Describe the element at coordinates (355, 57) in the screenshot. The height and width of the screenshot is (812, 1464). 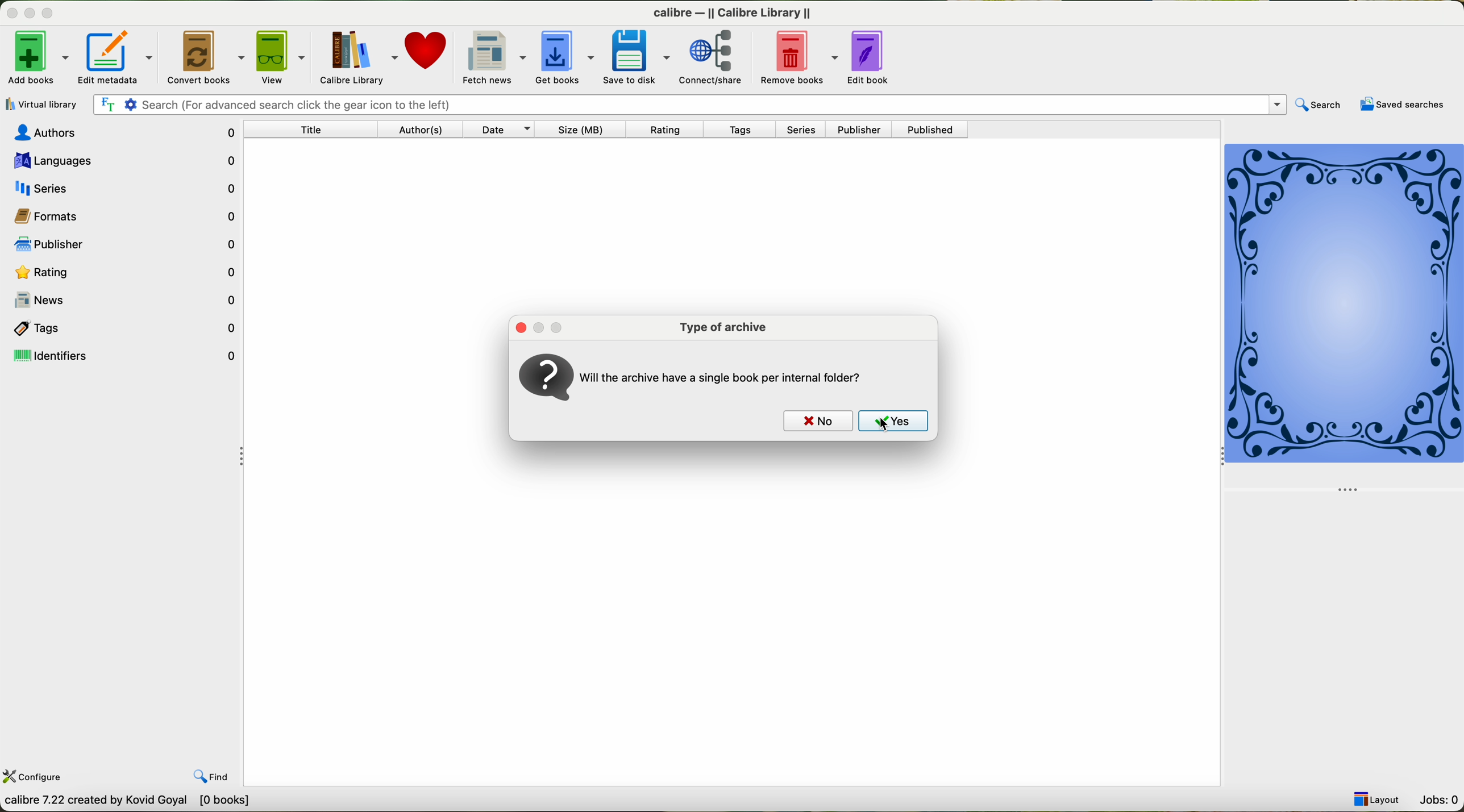
I see `calibre library` at that location.